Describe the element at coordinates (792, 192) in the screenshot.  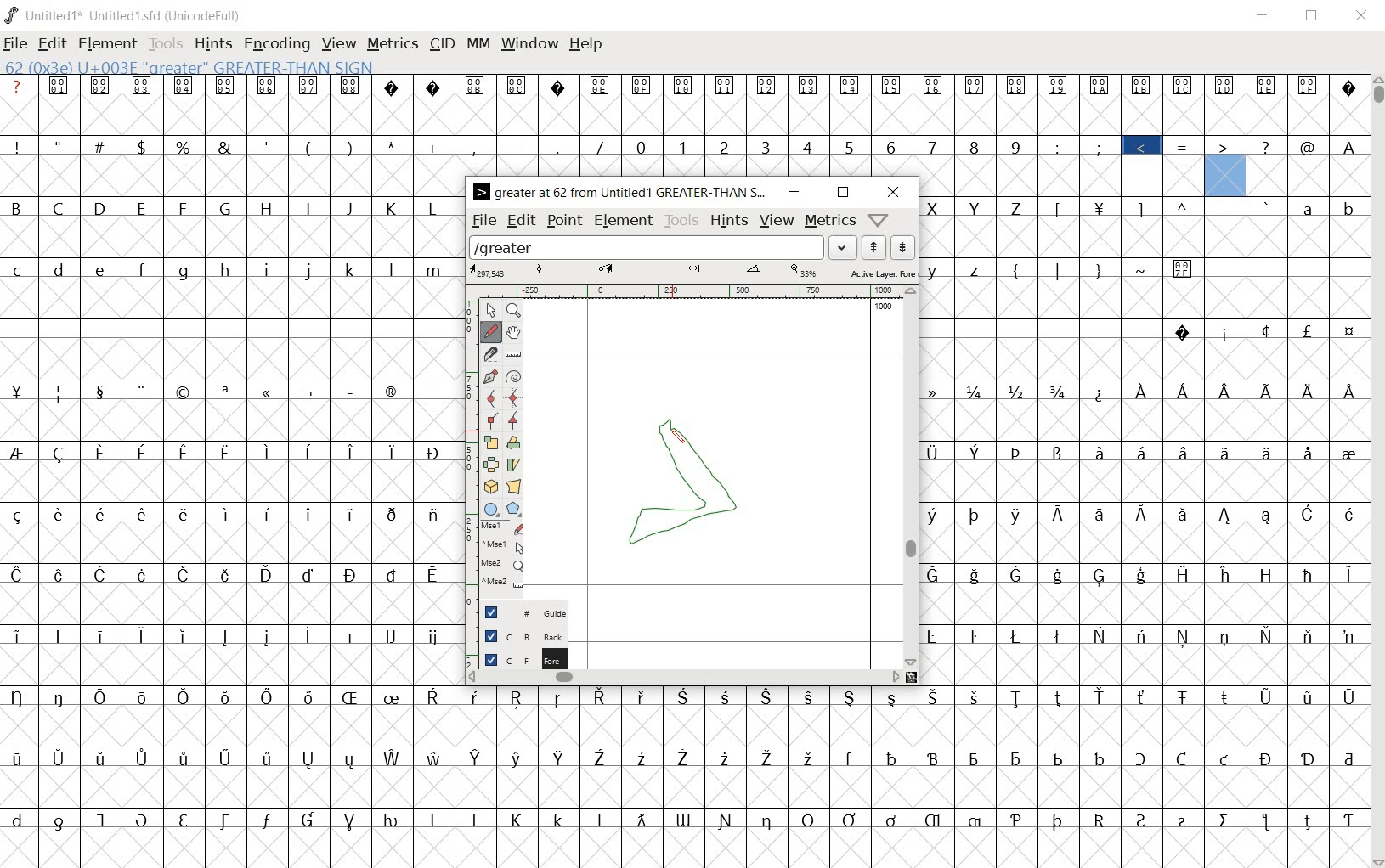
I see `minimize` at that location.